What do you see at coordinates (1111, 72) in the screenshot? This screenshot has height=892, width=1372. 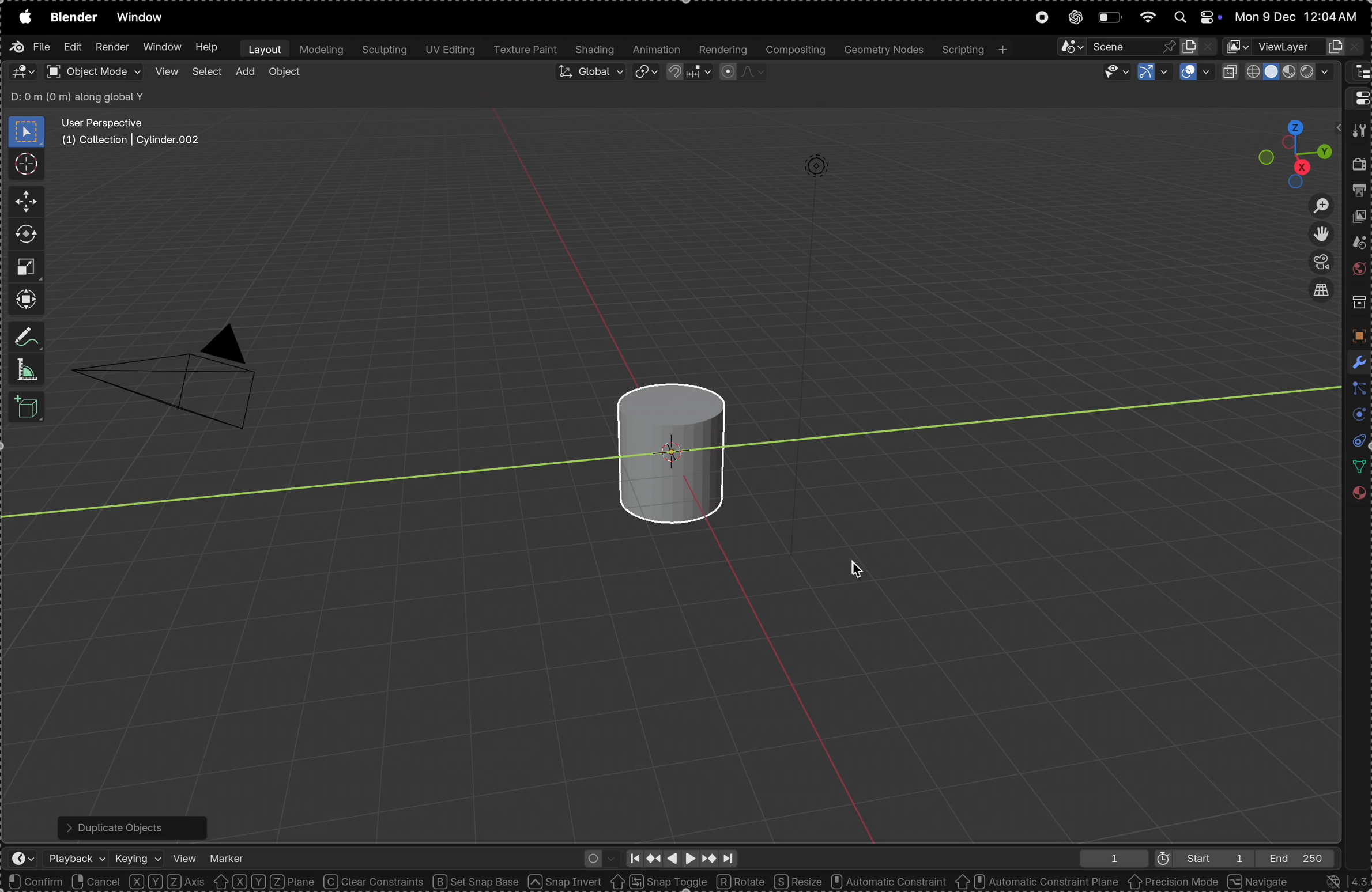 I see `visibility` at bounding box center [1111, 72].